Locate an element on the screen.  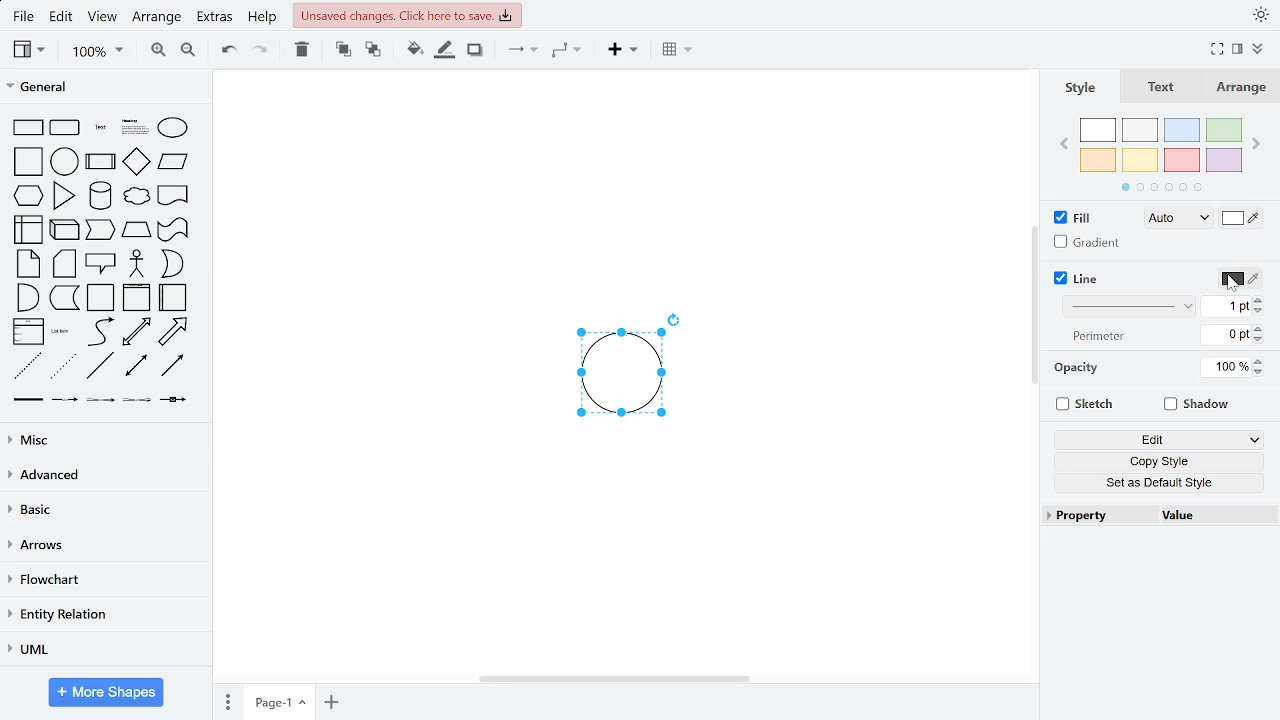
more shapes is located at coordinates (105, 692).